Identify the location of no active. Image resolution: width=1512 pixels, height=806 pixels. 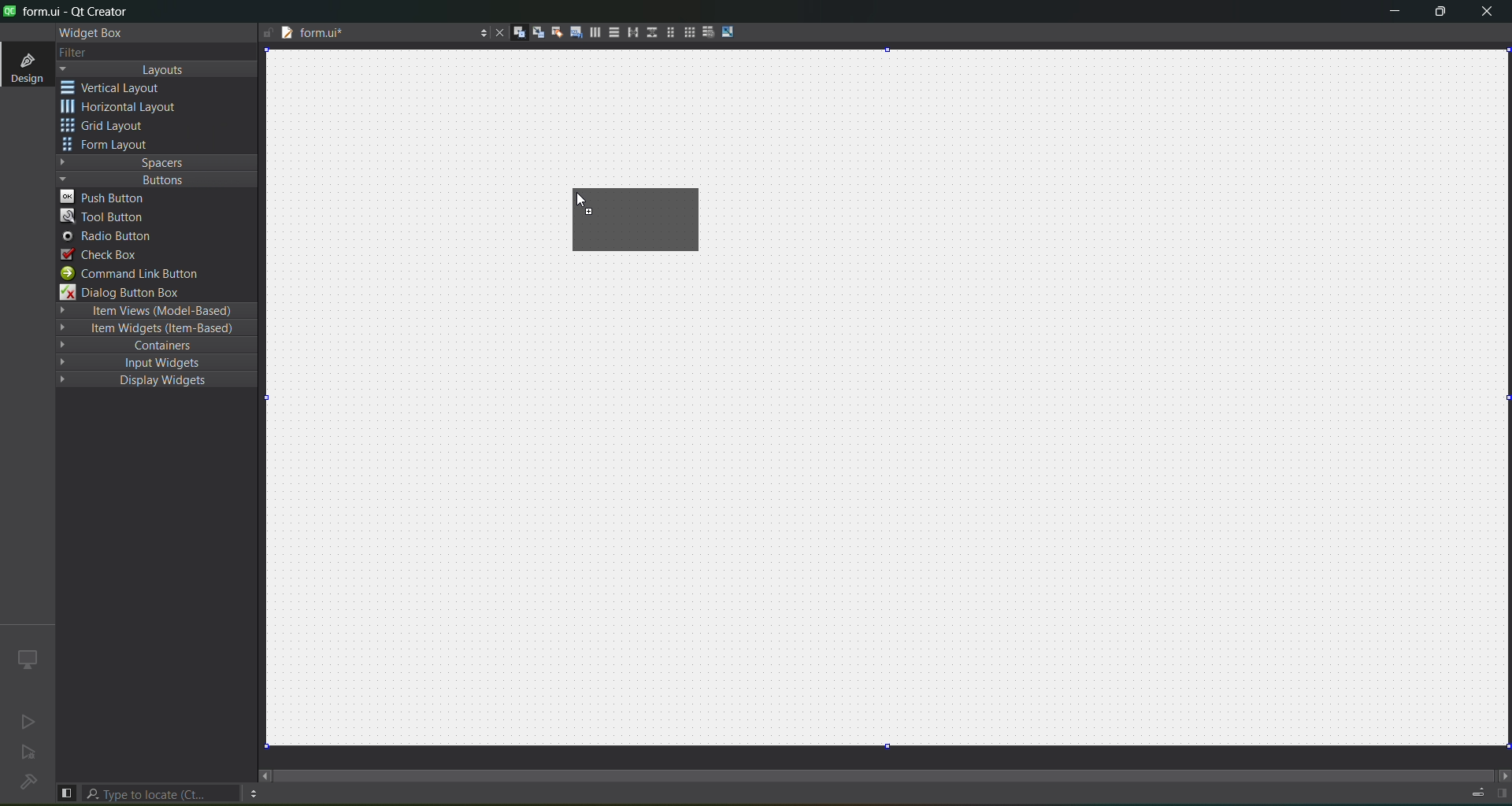
(24, 723).